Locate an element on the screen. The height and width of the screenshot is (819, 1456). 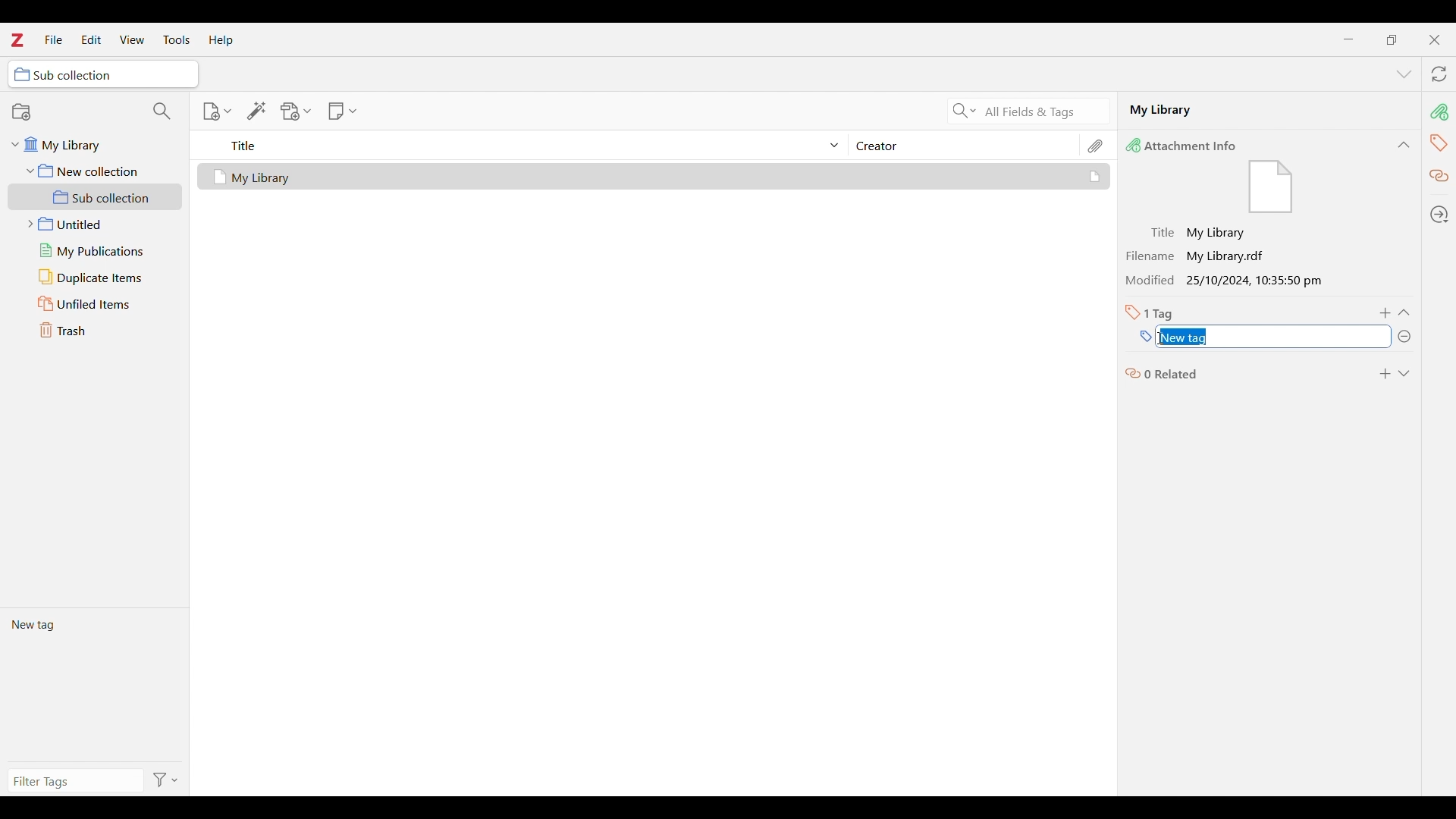
Close interface is located at coordinates (1434, 39).